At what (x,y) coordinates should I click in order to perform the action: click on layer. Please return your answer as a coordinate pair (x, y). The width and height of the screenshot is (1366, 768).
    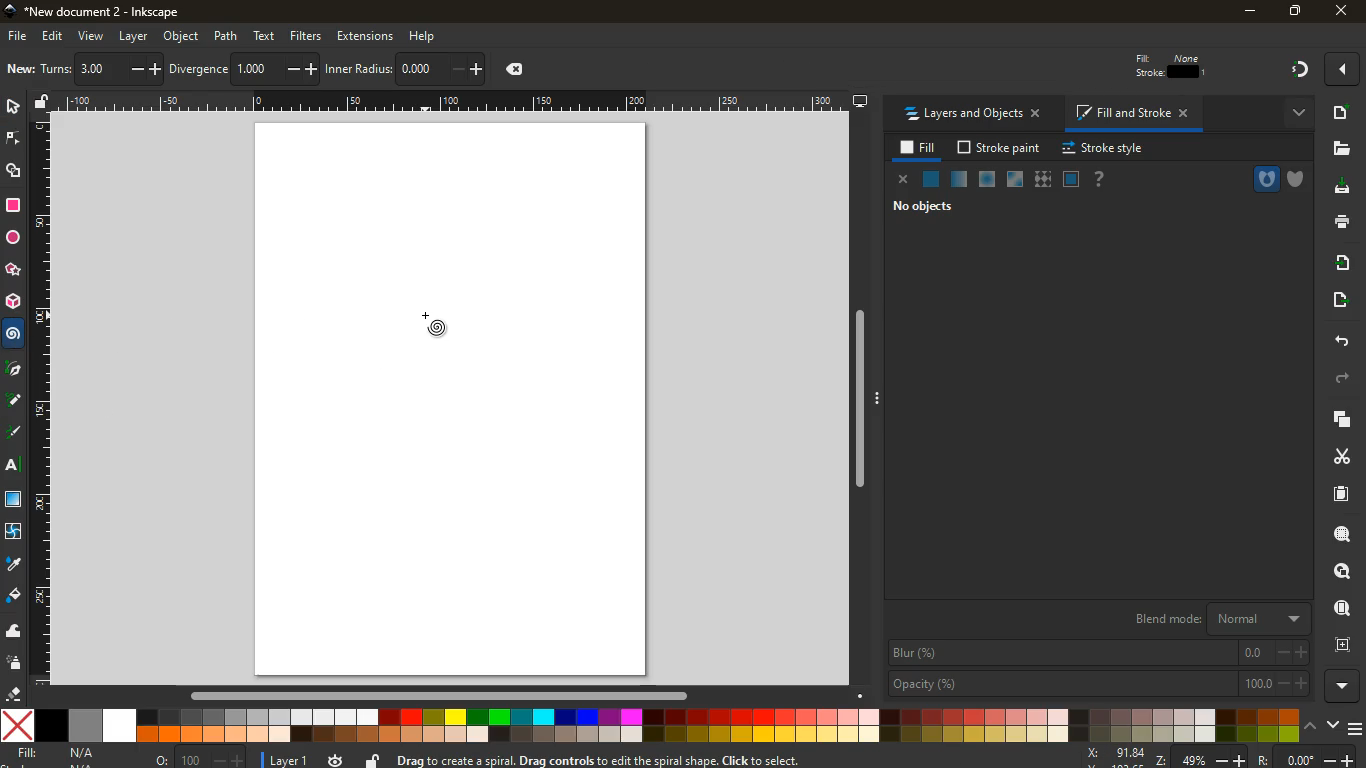
    Looking at the image, I should click on (135, 36).